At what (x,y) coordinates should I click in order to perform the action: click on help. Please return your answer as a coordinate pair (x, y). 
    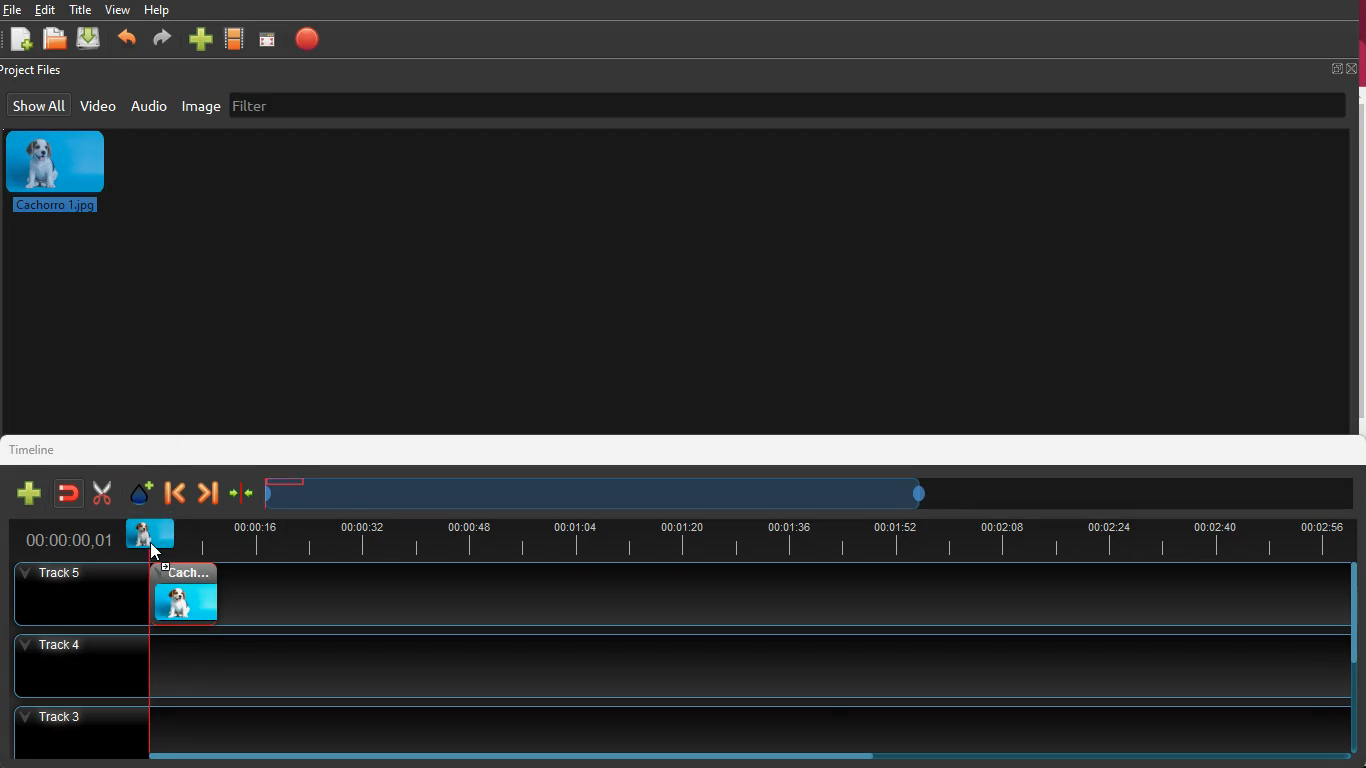
    Looking at the image, I should click on (160, 10).